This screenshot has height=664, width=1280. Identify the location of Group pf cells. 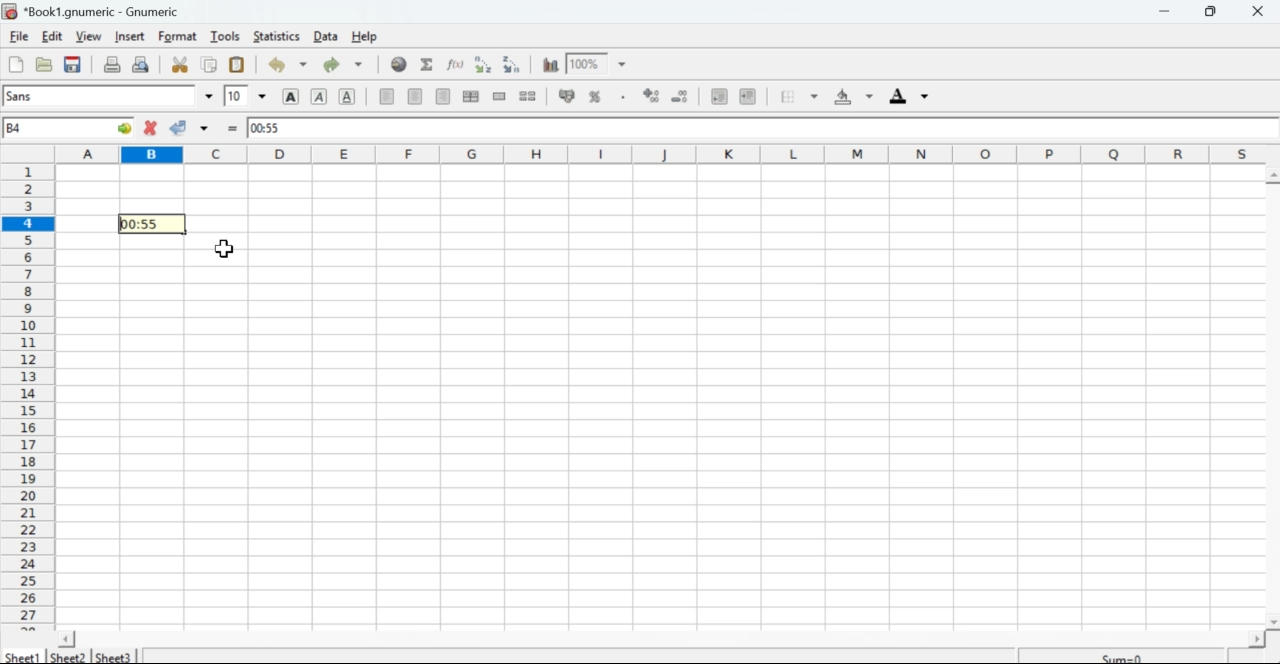
(472, 97).